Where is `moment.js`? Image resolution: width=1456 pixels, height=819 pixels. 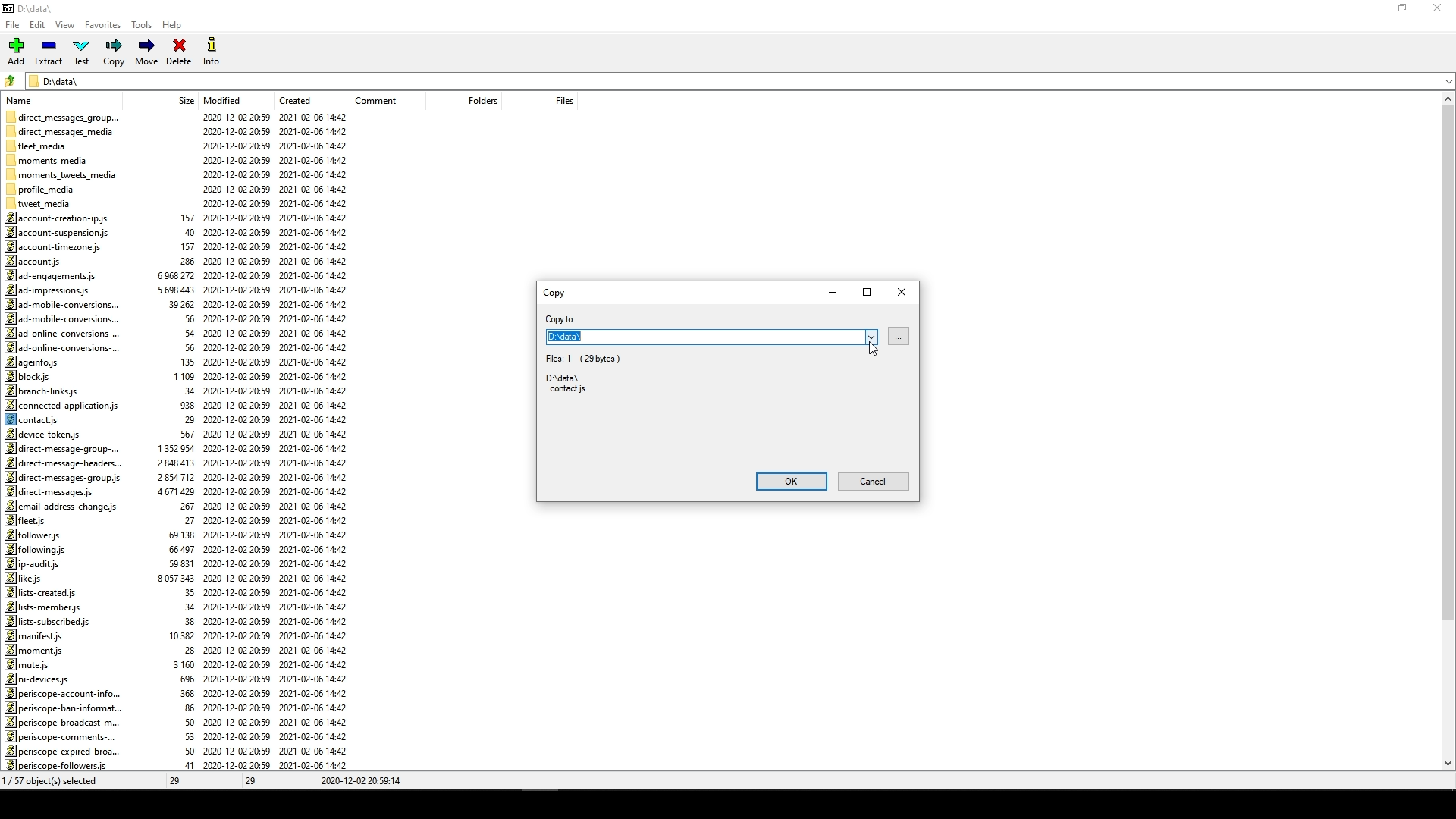
moment.js is located at coordinates (36, 649).